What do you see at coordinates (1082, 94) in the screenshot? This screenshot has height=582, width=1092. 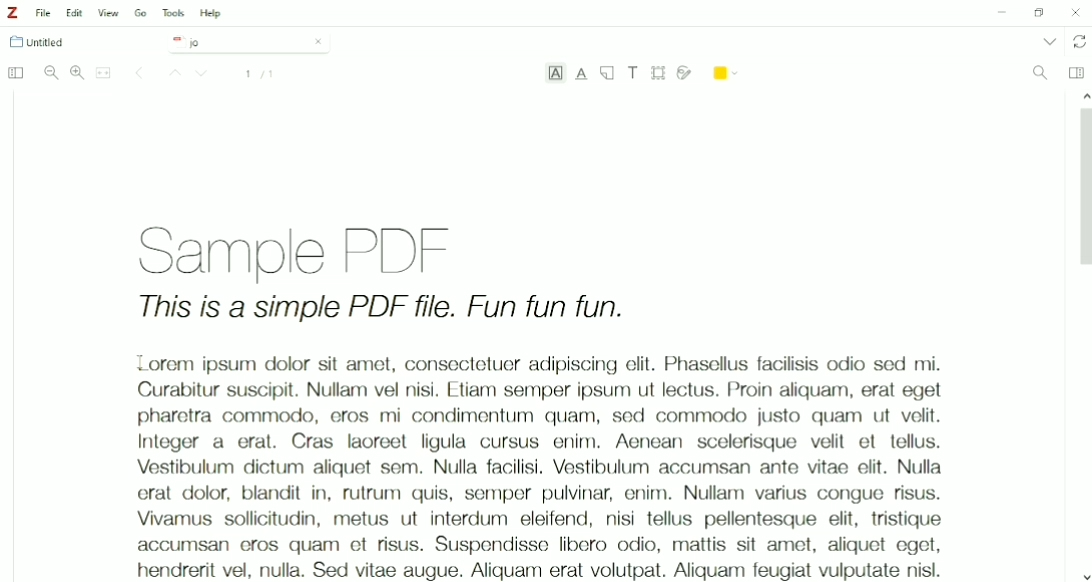 I see `up` at bounding box center [1082, 94].